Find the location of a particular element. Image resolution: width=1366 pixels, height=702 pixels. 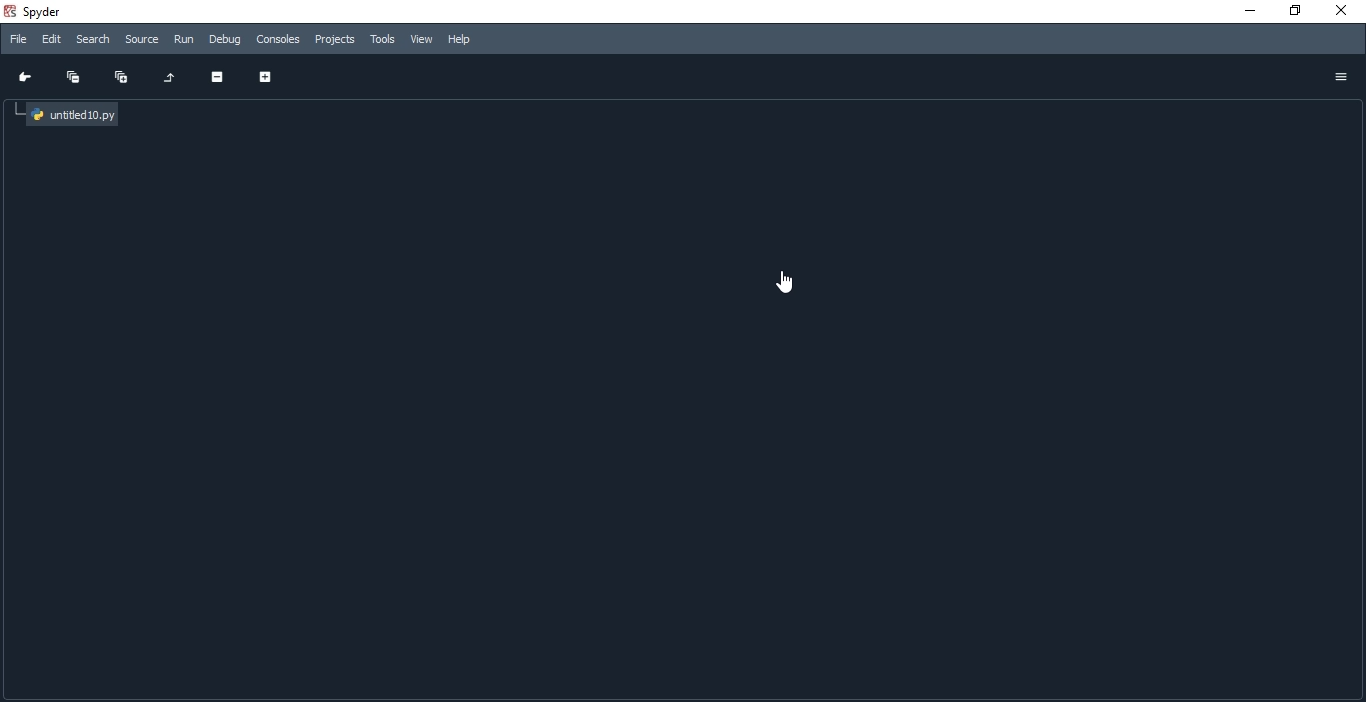

File  is located at coordinates (18, 40).